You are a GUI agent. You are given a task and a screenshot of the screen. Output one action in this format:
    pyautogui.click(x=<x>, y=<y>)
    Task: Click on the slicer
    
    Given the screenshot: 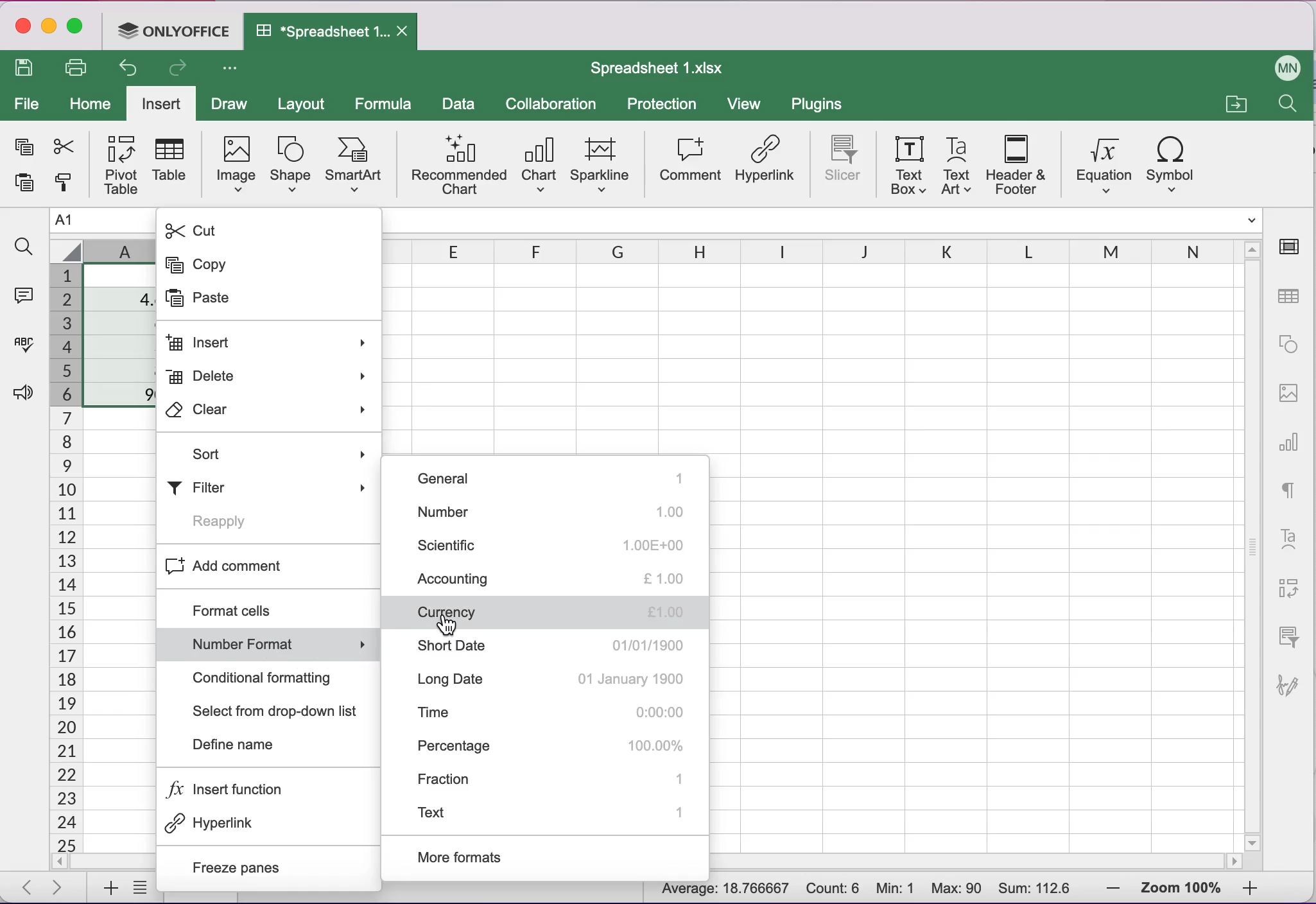 What is the action you would take?
    pyautogui.click(x=1287, y=640)
    